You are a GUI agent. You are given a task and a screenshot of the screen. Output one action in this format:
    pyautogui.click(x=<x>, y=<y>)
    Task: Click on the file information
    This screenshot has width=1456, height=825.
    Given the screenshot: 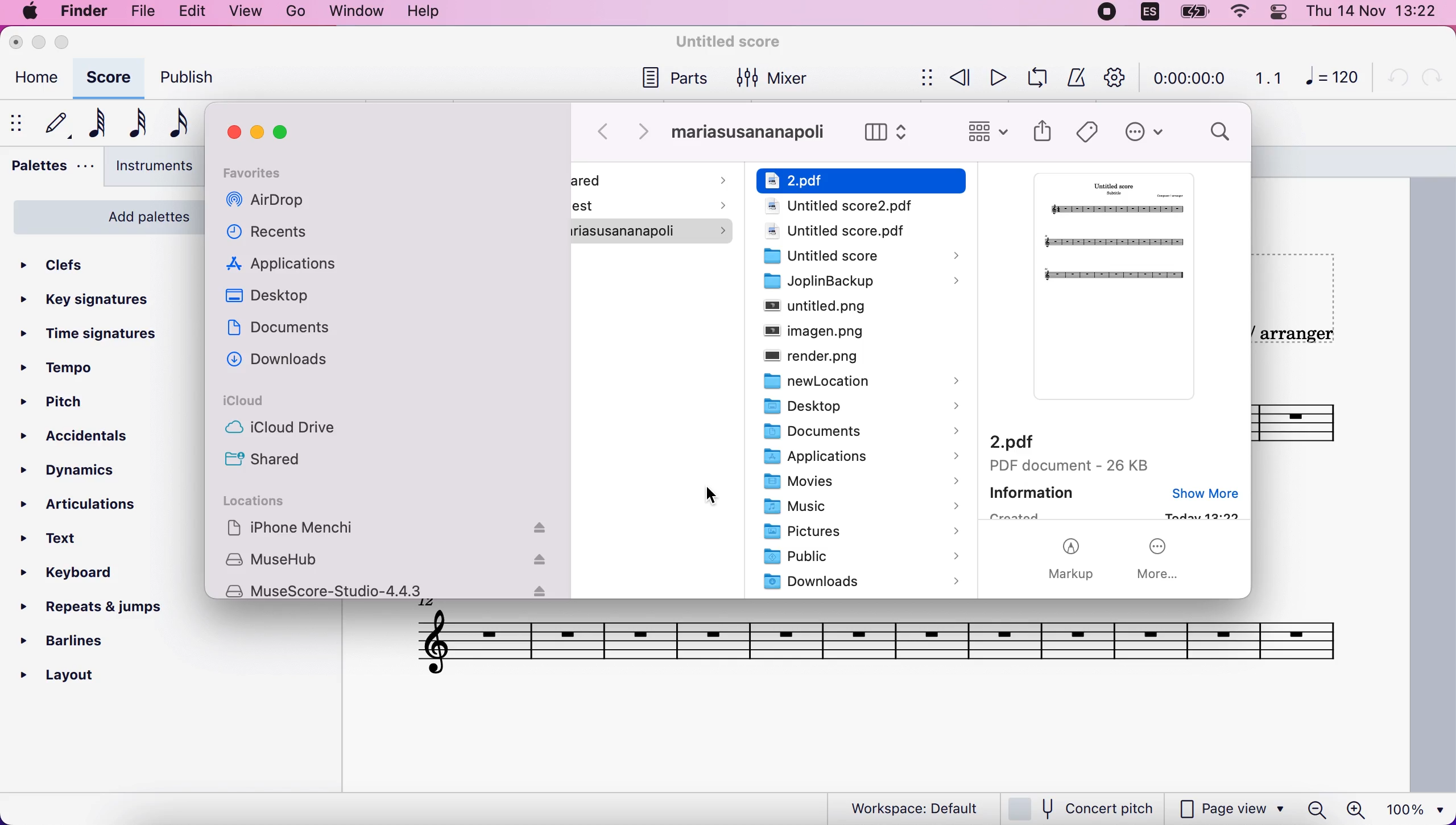 What is the action you would take?
    pyautogui.click(x=1114, y=502)
    